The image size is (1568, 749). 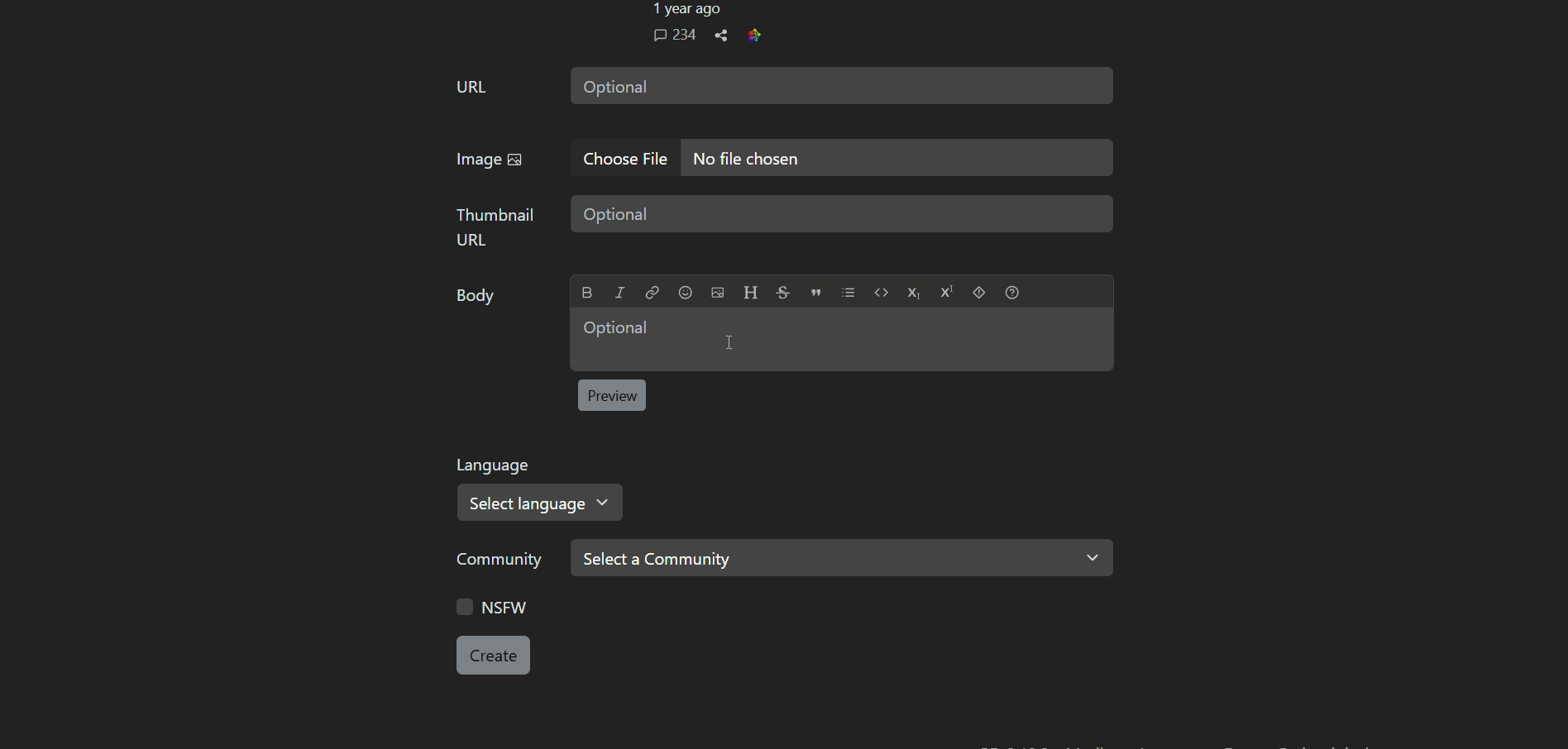 What do you see at coordinates (493, 655) in the screenshot?
I see `Create button` at bounding box center [493, 655].